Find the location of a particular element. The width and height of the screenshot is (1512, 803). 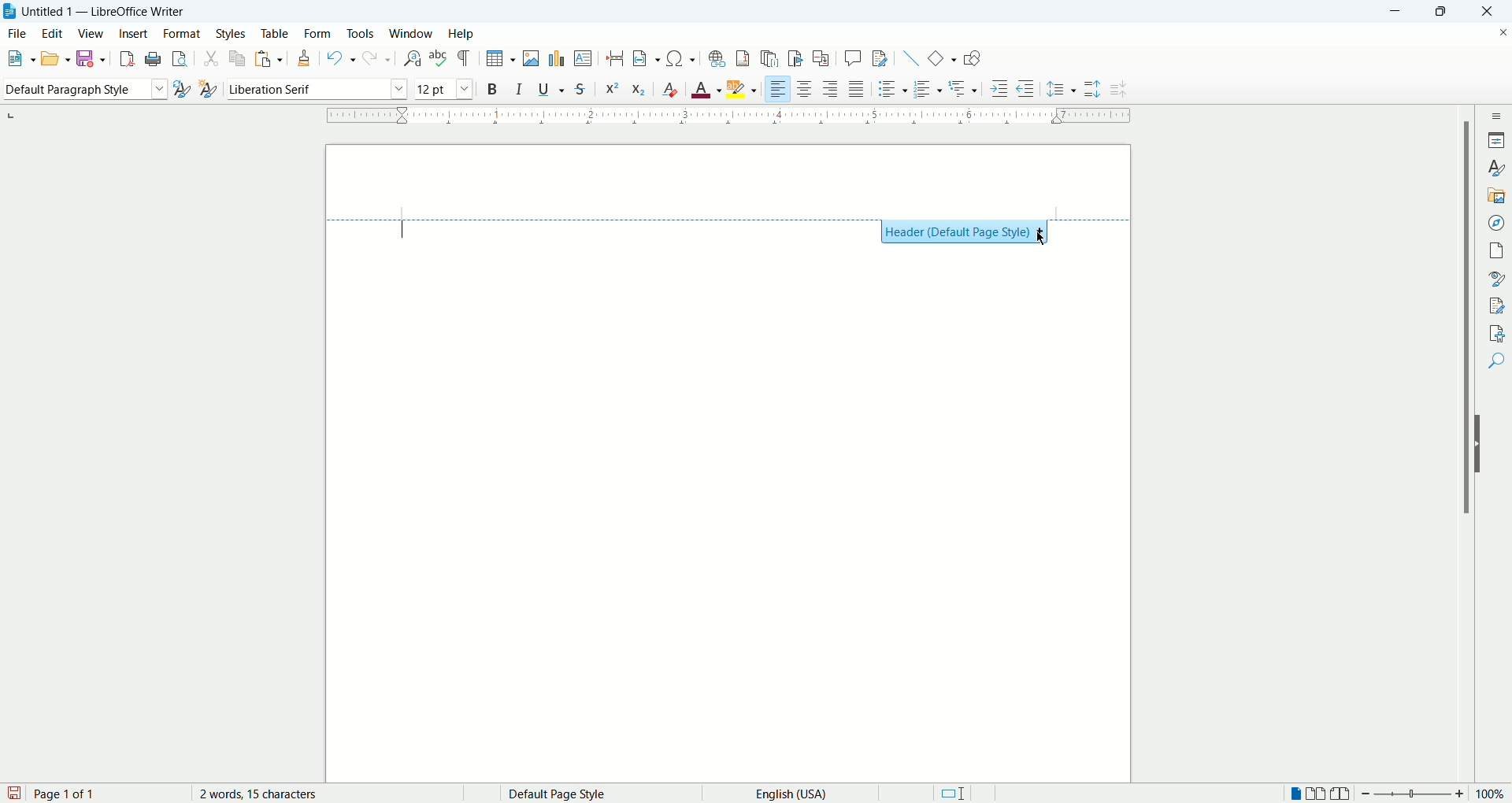

vertical scroll bar is located at coordinates (1462, 444).